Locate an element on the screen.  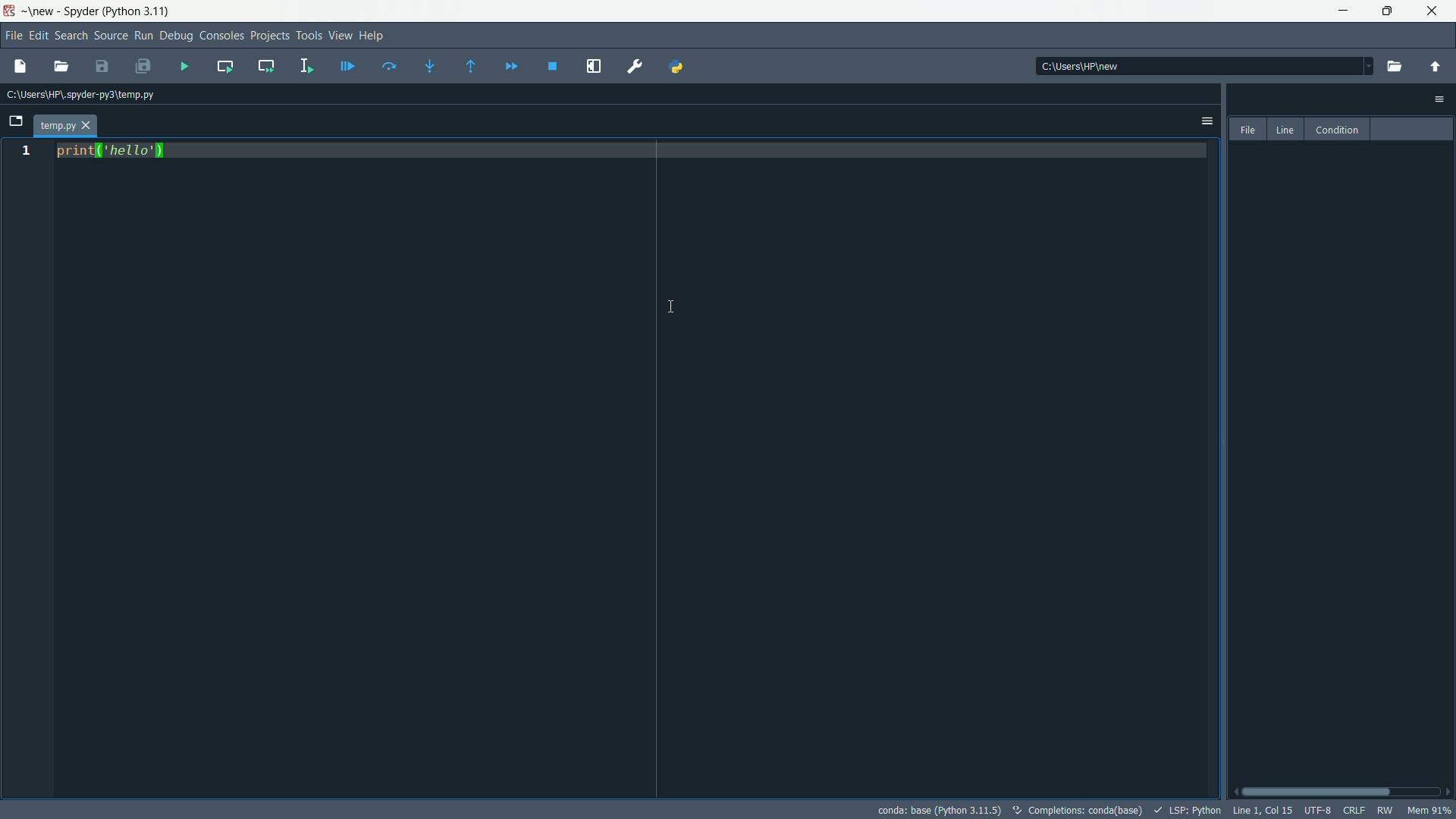
app icon is located at coordinates (9, 11).